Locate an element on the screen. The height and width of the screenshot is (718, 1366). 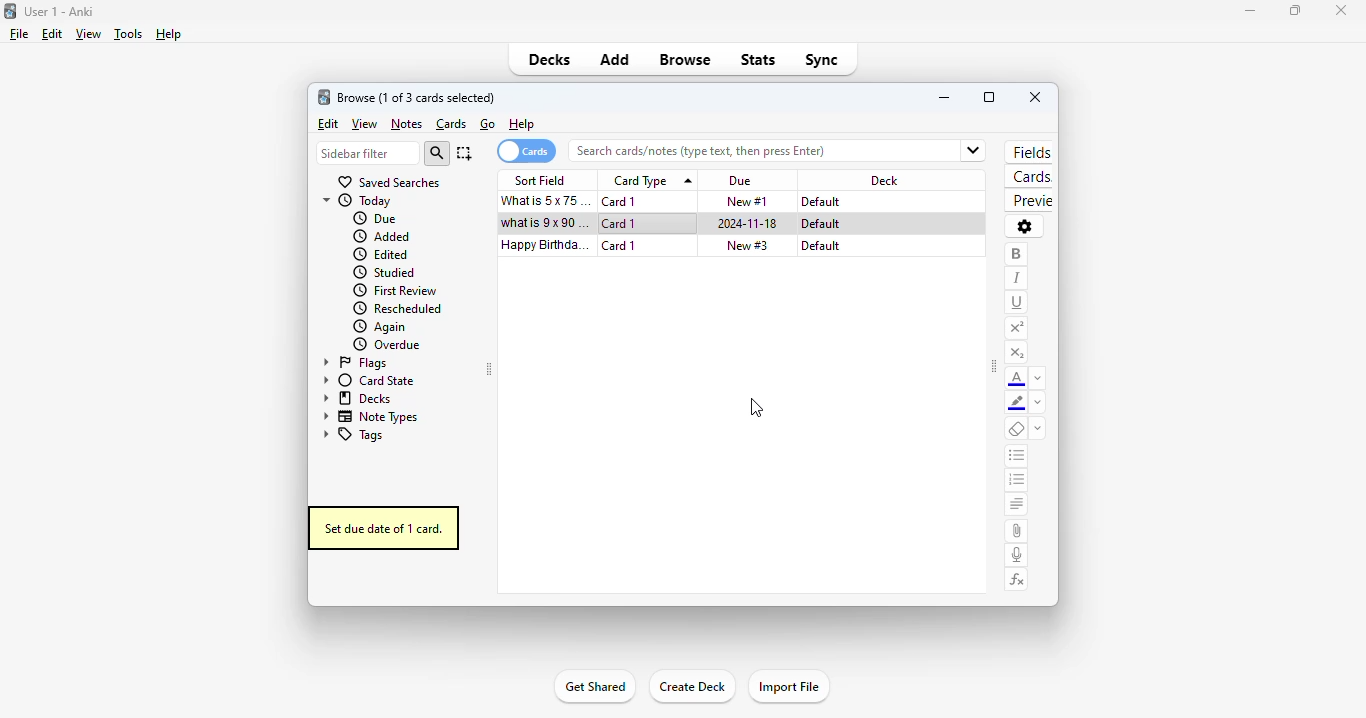
default is located at coordinates (820, 246).